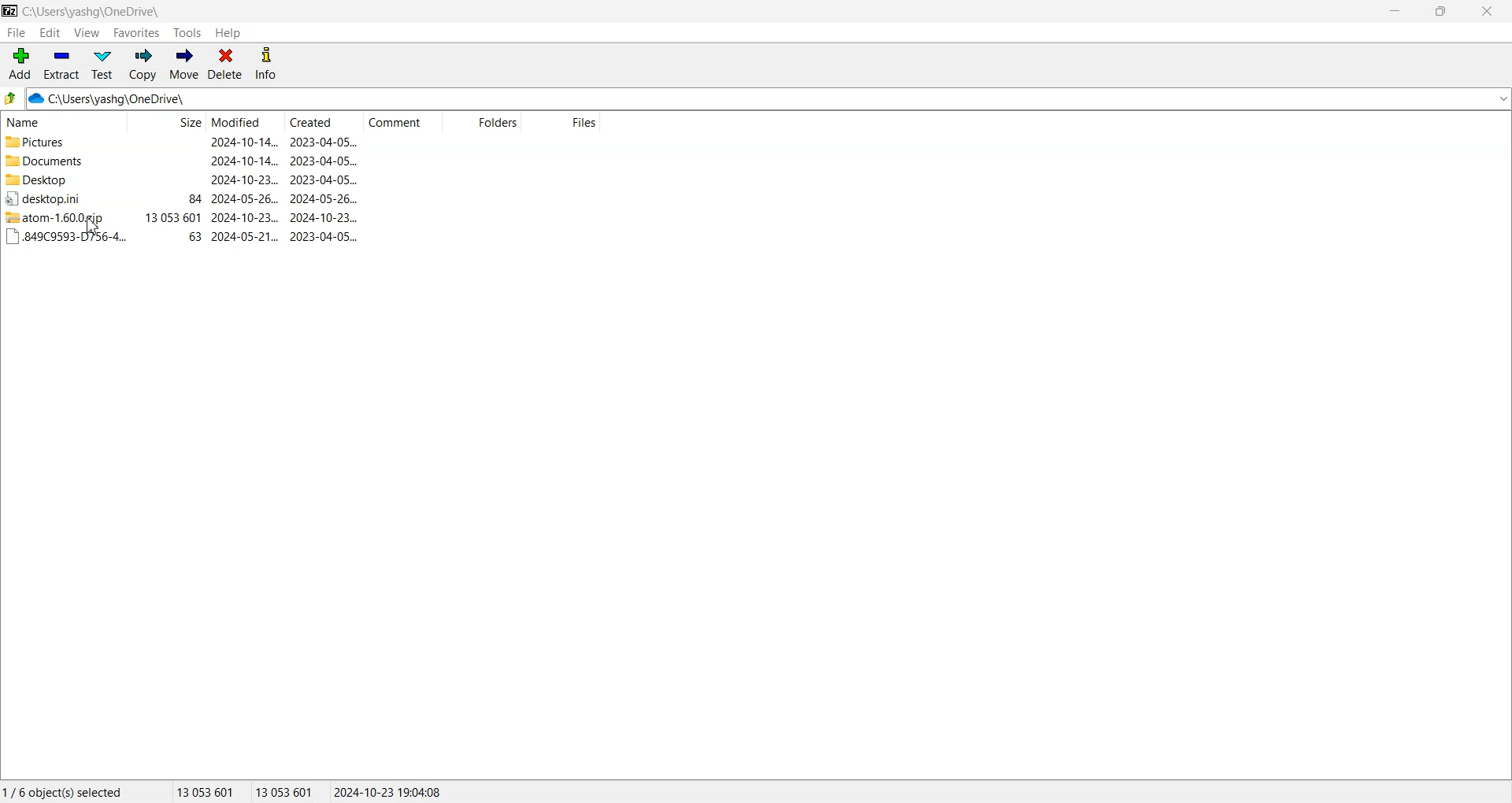  What do you see at coordinates (62, 791) in the screenshot?
I see `1/6 object(s) selected` at bounding box center [62, 791].